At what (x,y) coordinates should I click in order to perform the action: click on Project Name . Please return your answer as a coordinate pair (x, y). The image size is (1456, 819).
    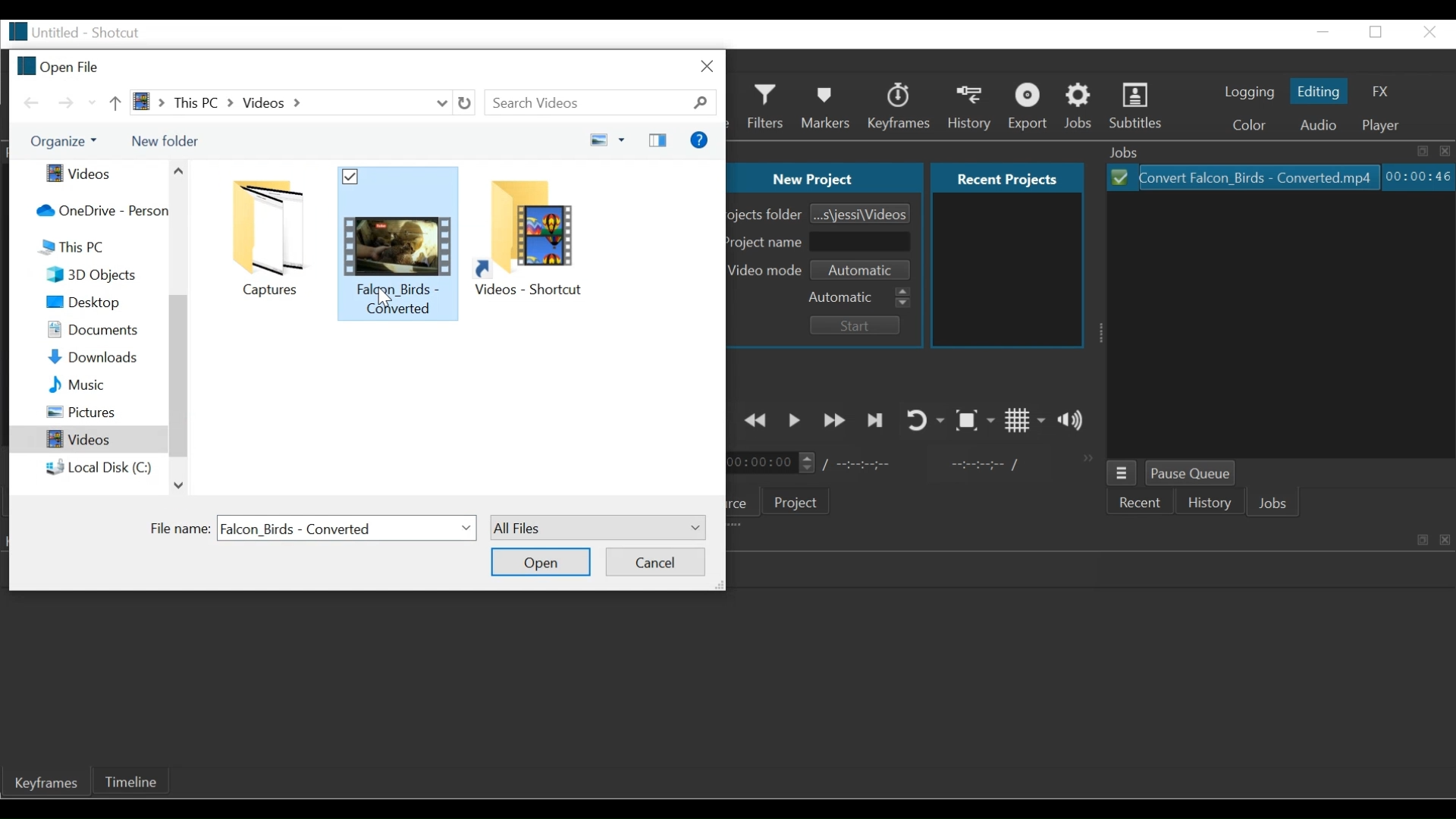
    Looking at the image, I should click on (768, 243).